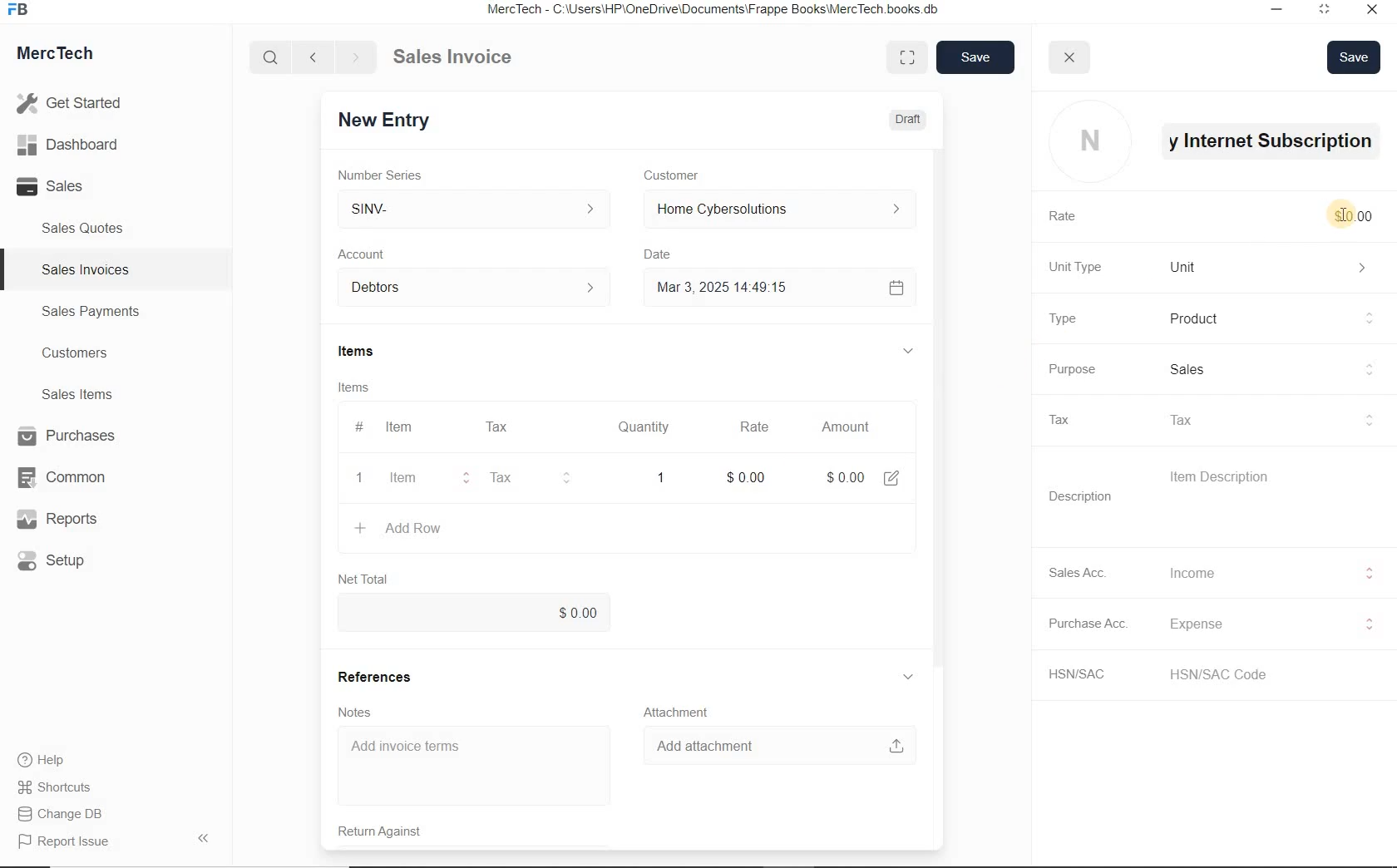  I want to click on New Entry, so click(389, 119).